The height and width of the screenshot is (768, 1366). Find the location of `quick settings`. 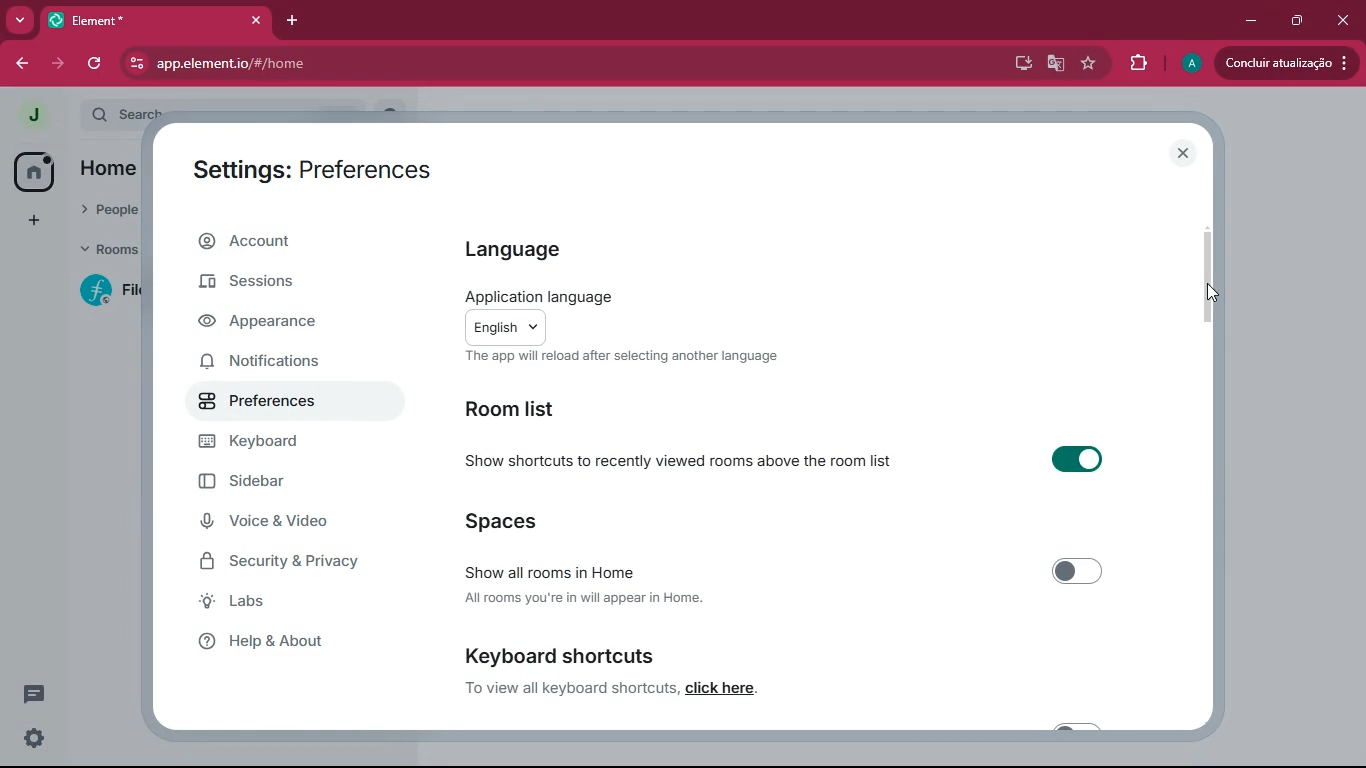

quick settings is located at coordinates (35, 739).